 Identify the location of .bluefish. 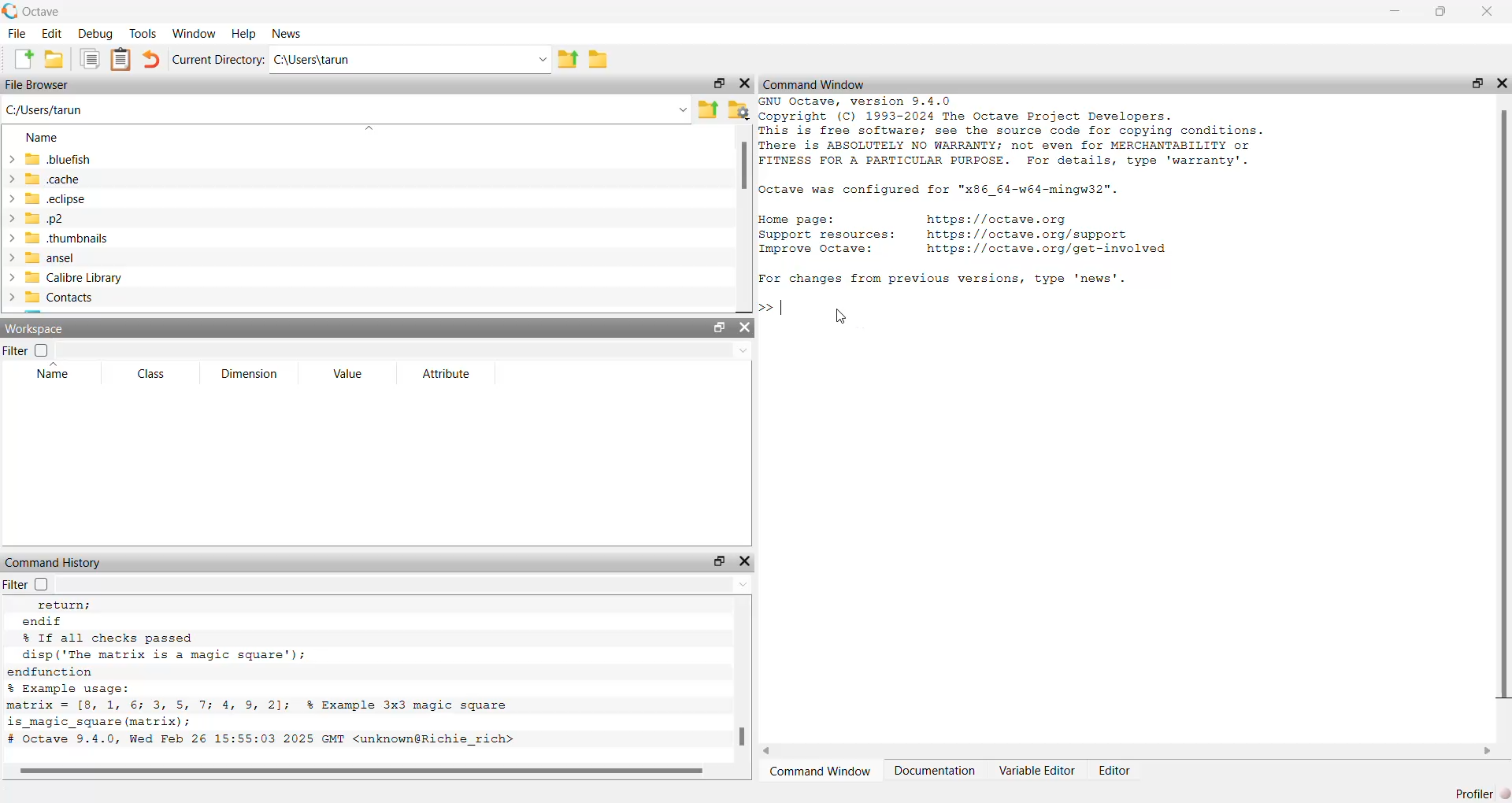
(56, 158).